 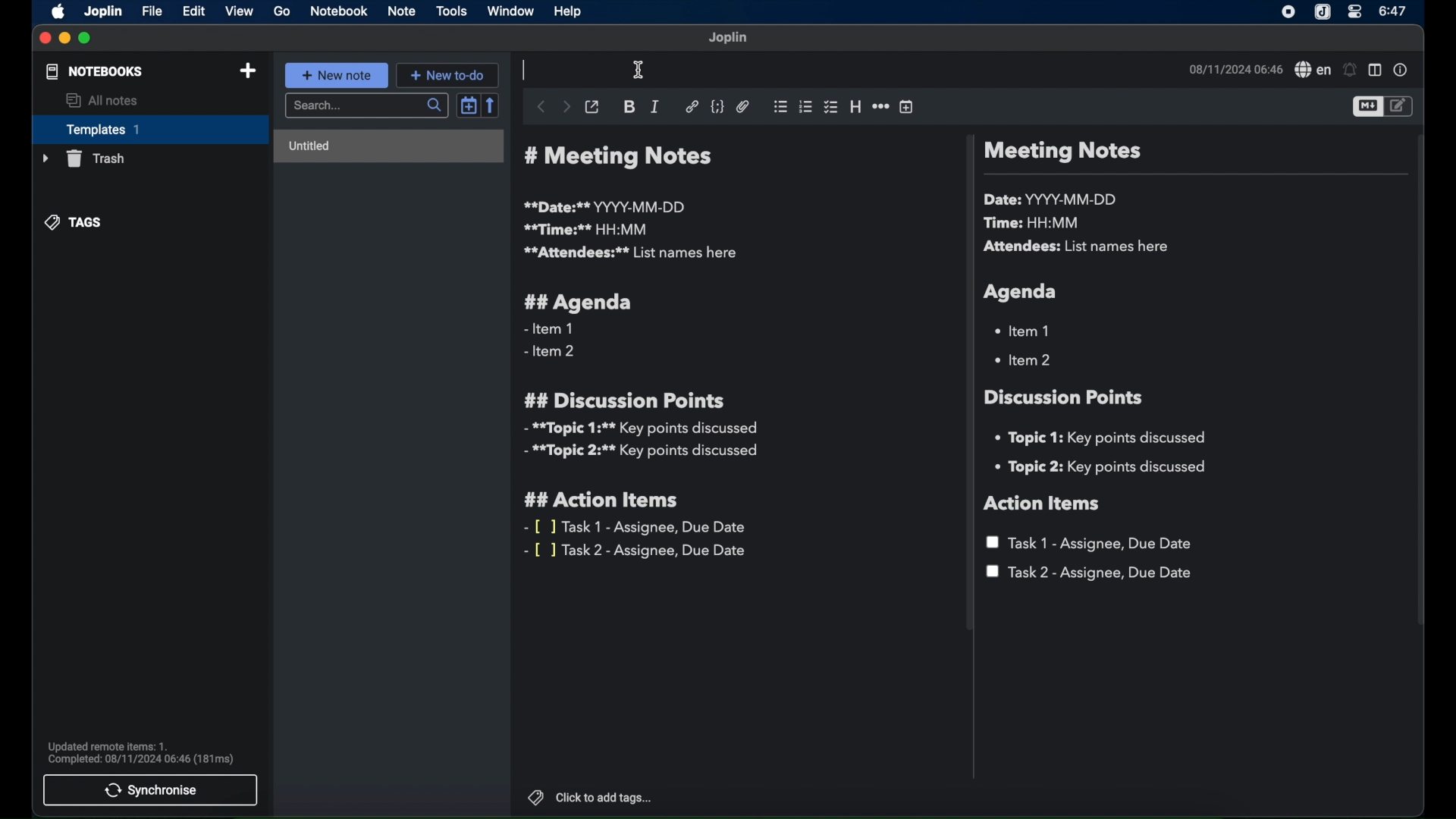 I want to click on horizontal rule, so click(x=880, y=105).